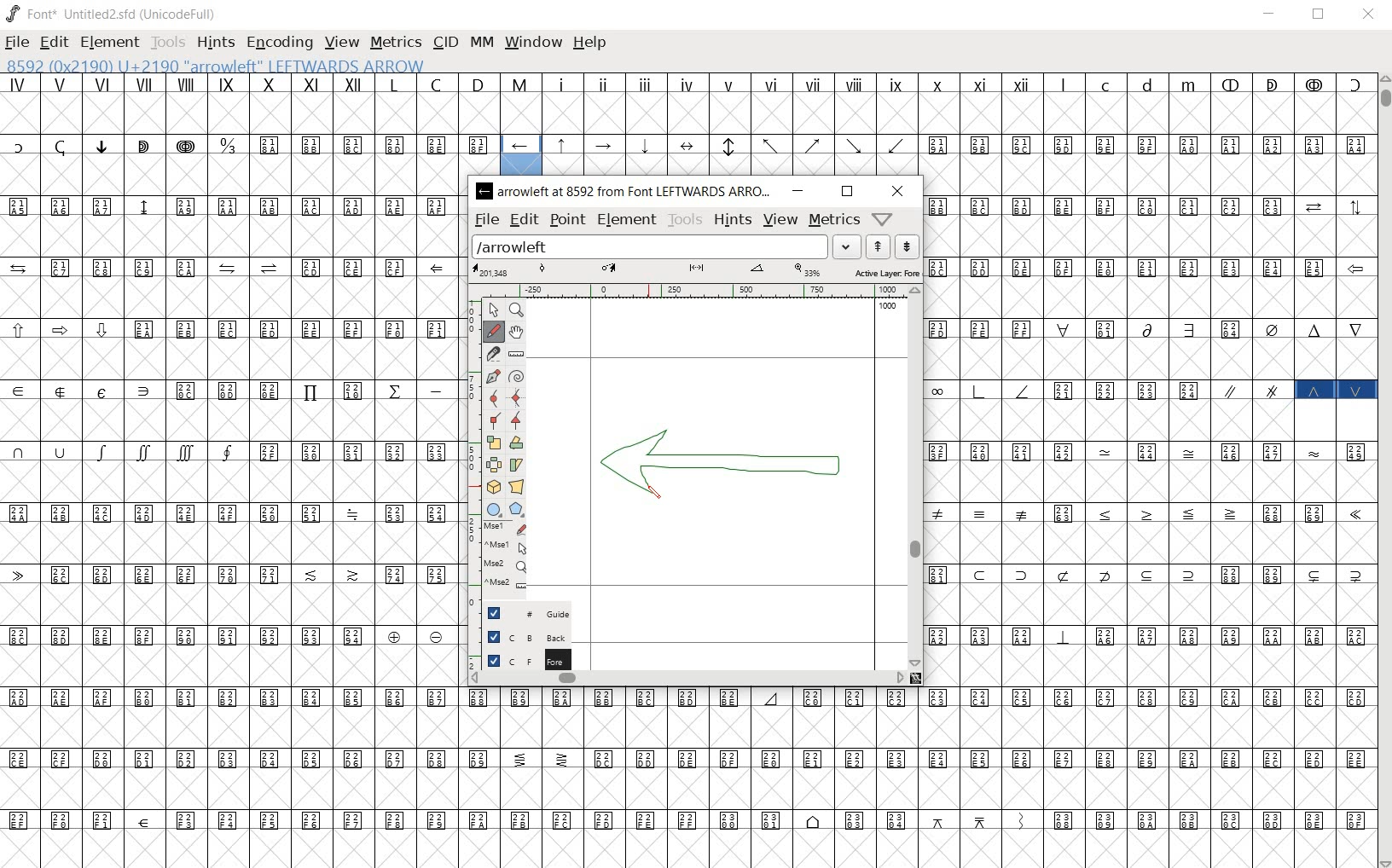 This screenshot has height=868, width=1392. What do you see at coordinates (281, 44) in the screenshot?
I see `encoding` at bounding box center [281, 44].